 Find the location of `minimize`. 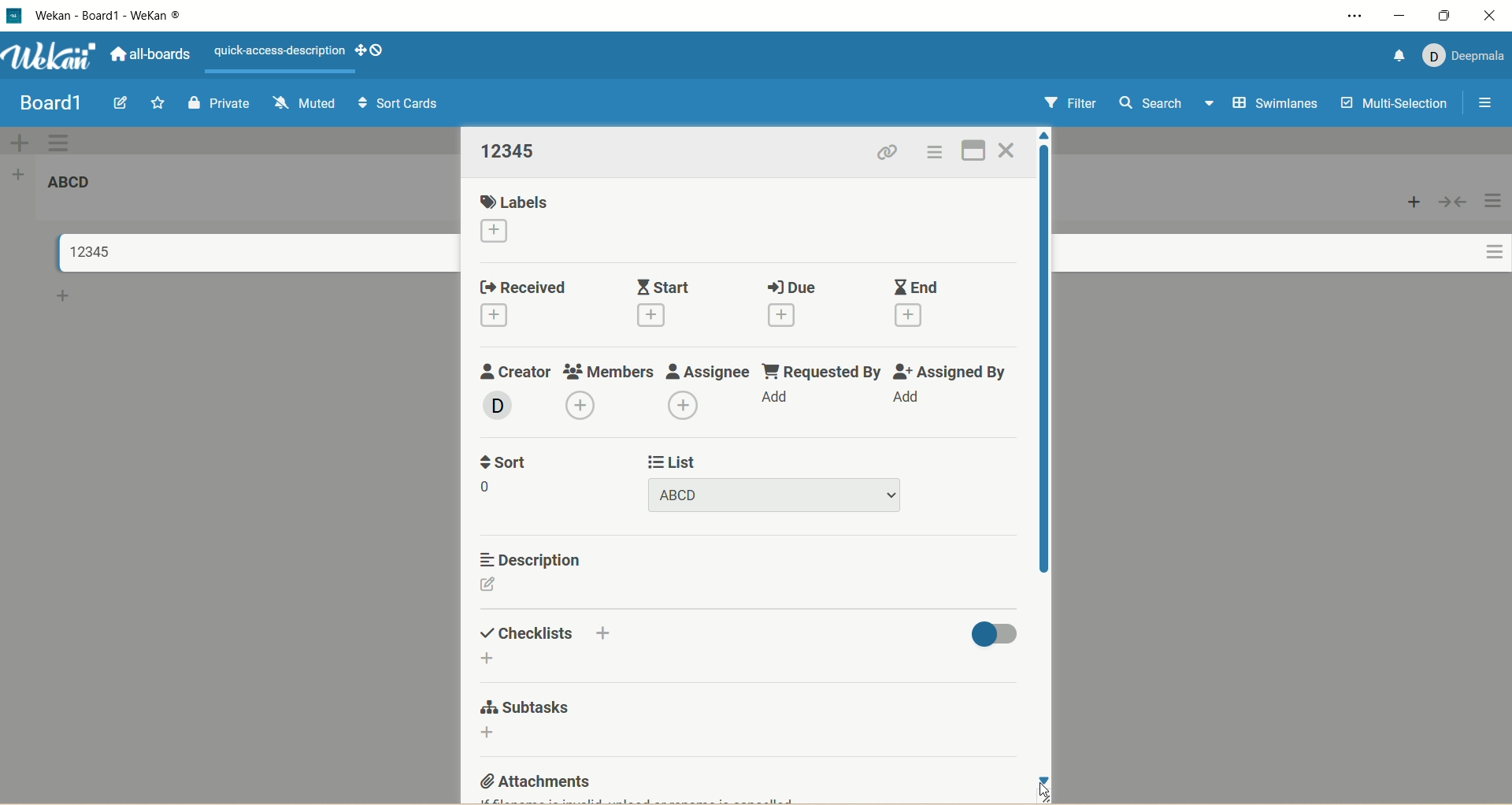

minimize is located at coordinates (1398, 16).